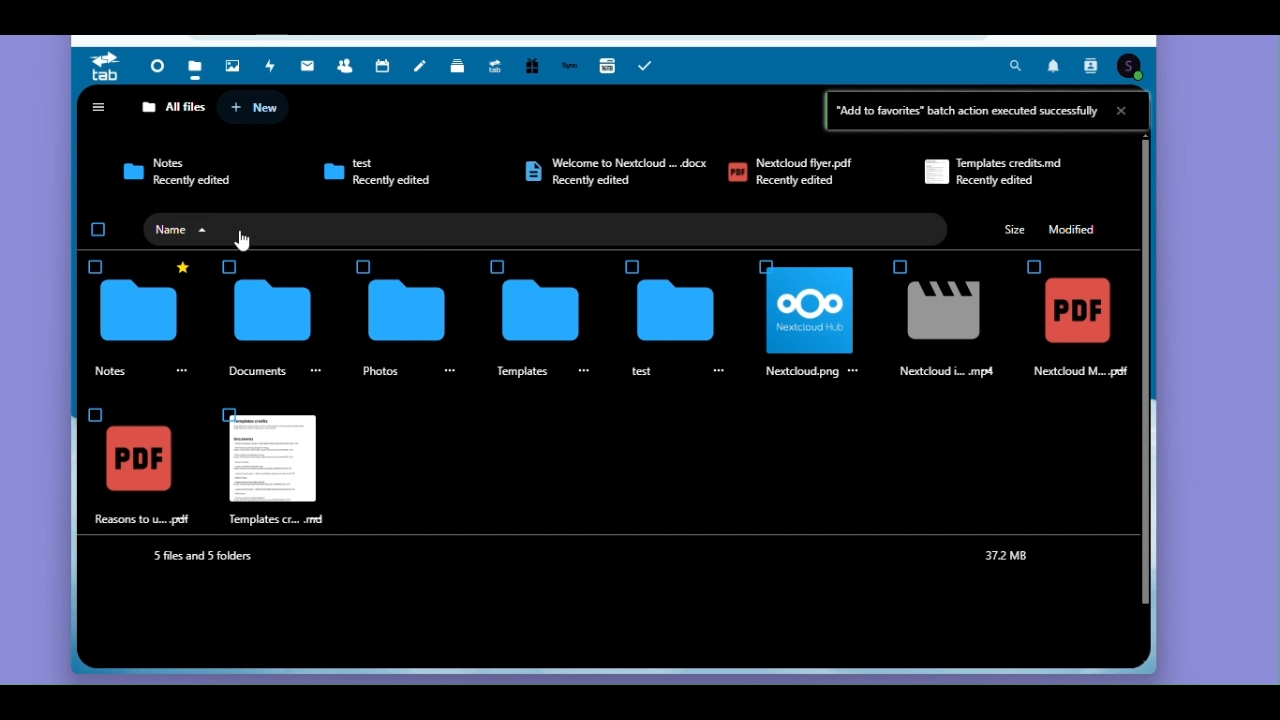  I want to click on Icon, so click(944, 312).